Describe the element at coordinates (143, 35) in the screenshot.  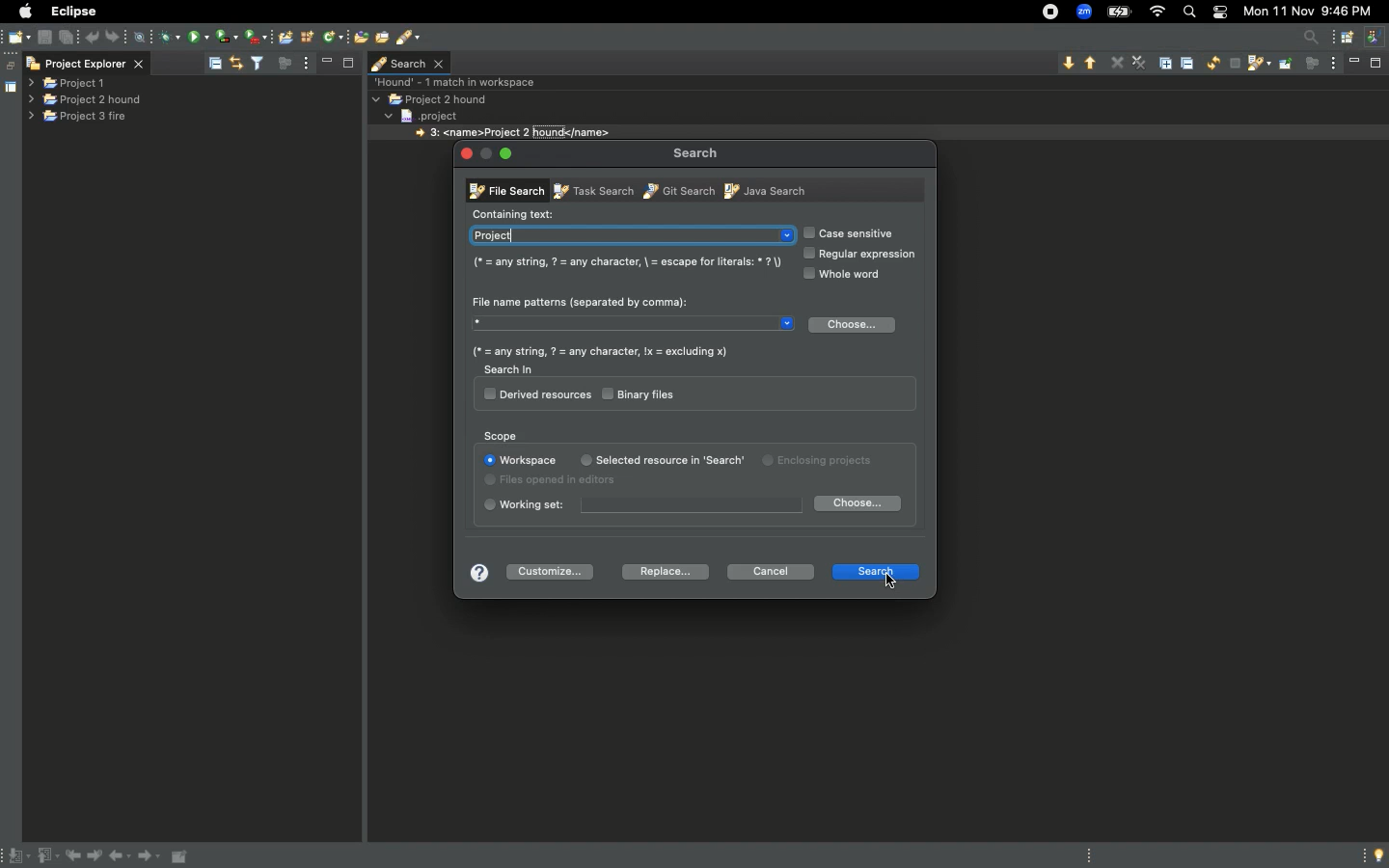
I see `skip all break points` at that location.